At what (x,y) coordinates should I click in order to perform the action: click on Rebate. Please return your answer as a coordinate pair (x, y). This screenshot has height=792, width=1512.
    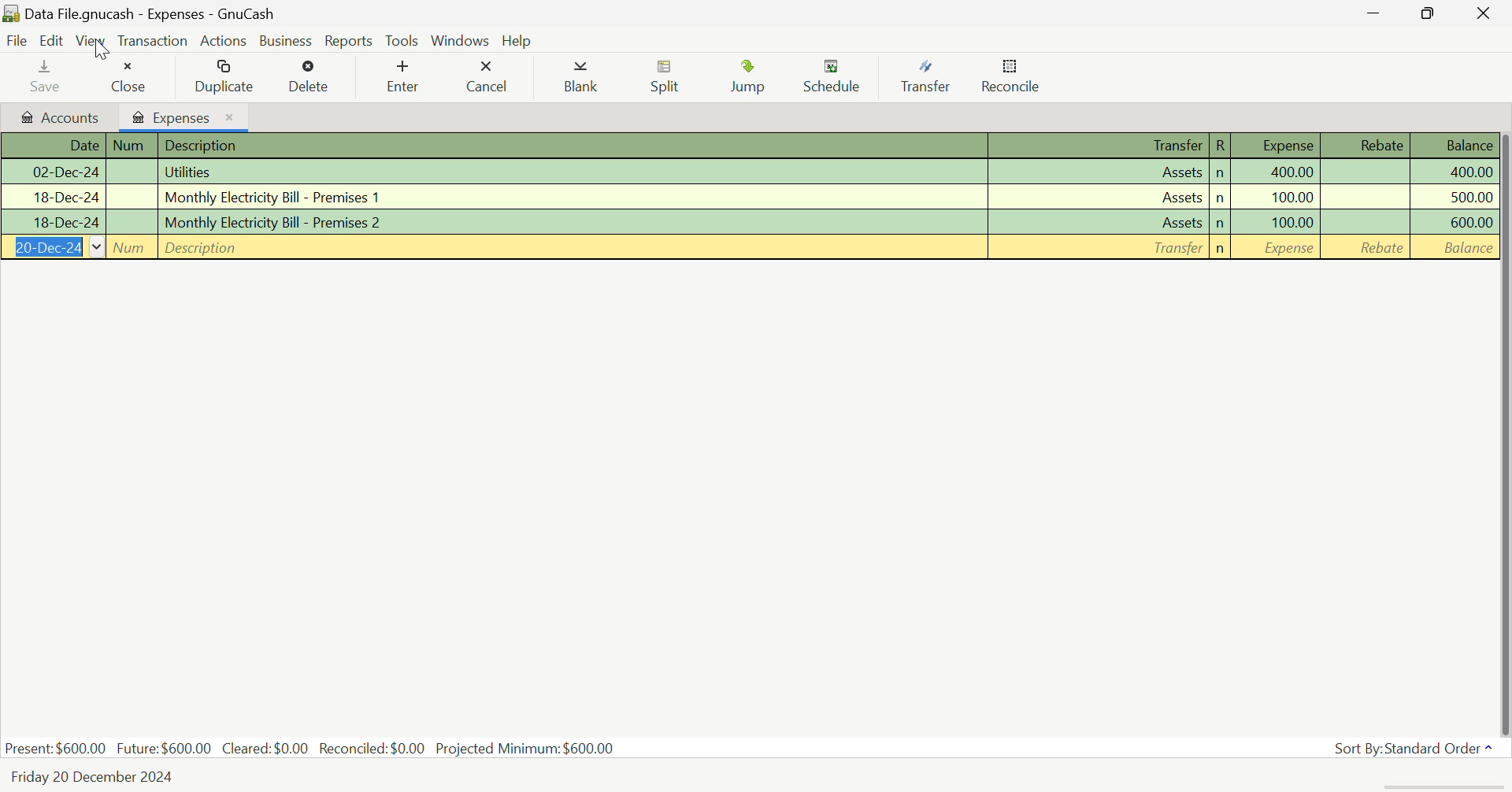
    Looking at the image, I should click on (1366, 222).